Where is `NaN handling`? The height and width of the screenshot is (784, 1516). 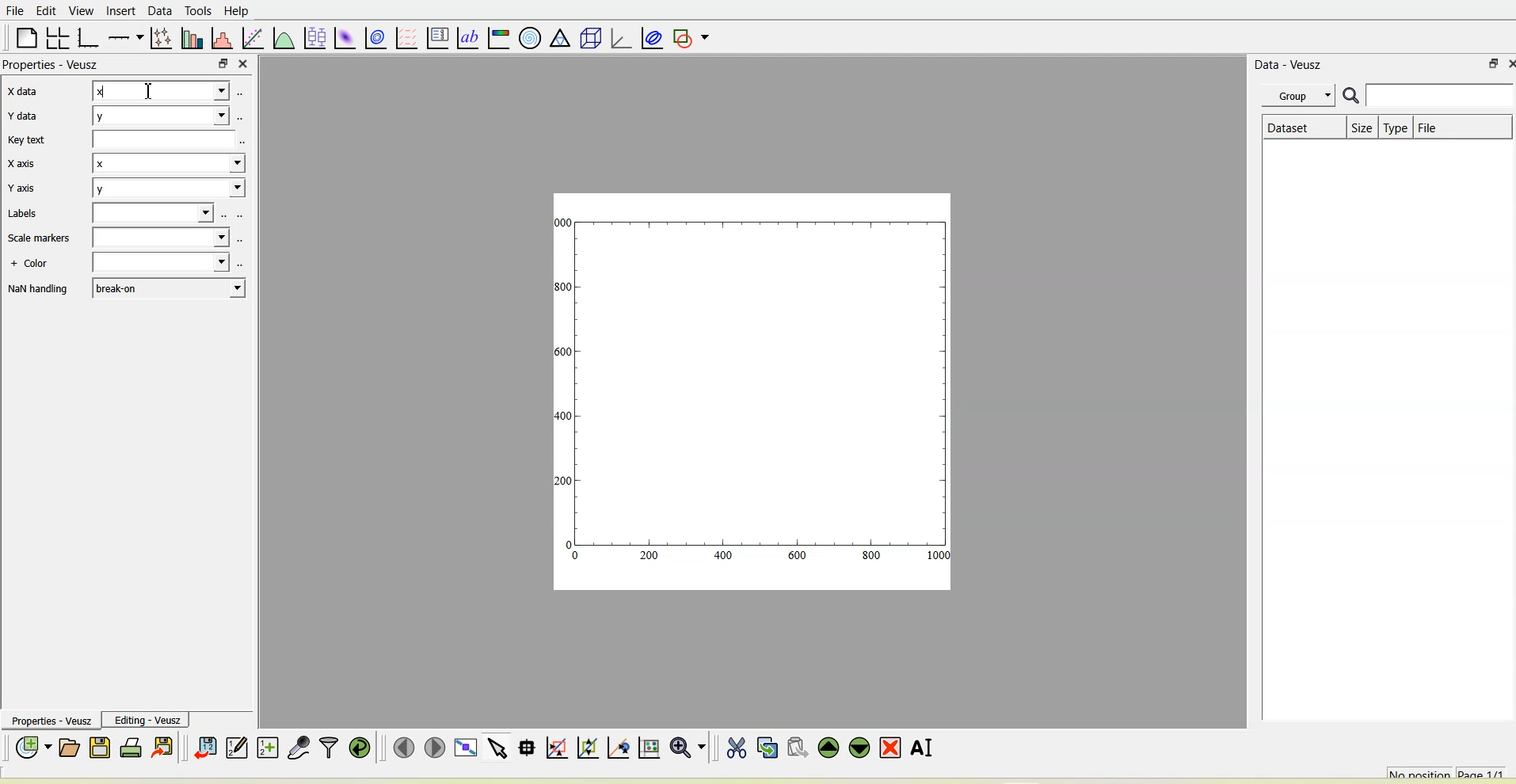
NaN handling is located at coordinates (38, 289).